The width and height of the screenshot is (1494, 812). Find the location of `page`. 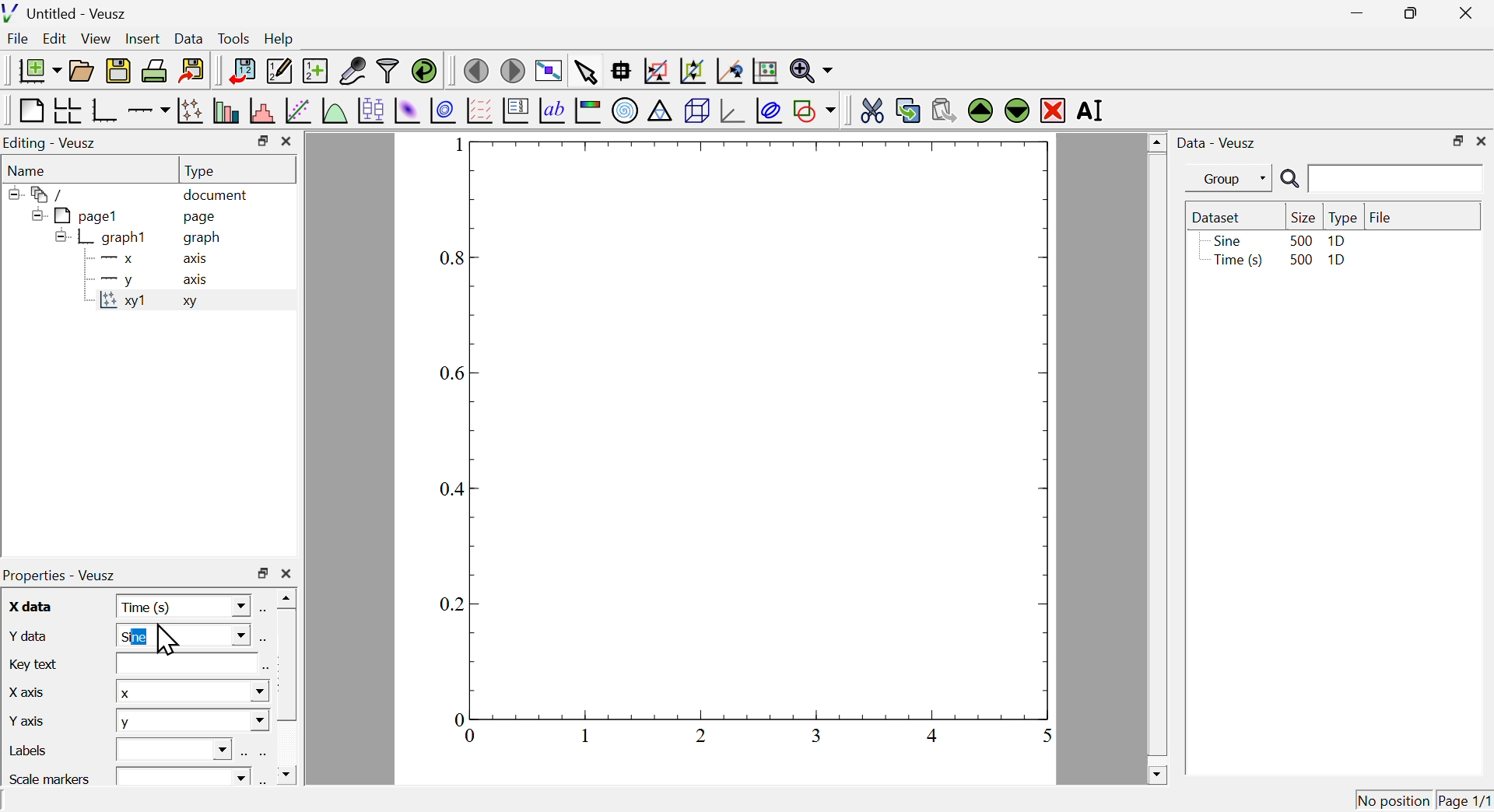

page is located at coordinates (202, 219).